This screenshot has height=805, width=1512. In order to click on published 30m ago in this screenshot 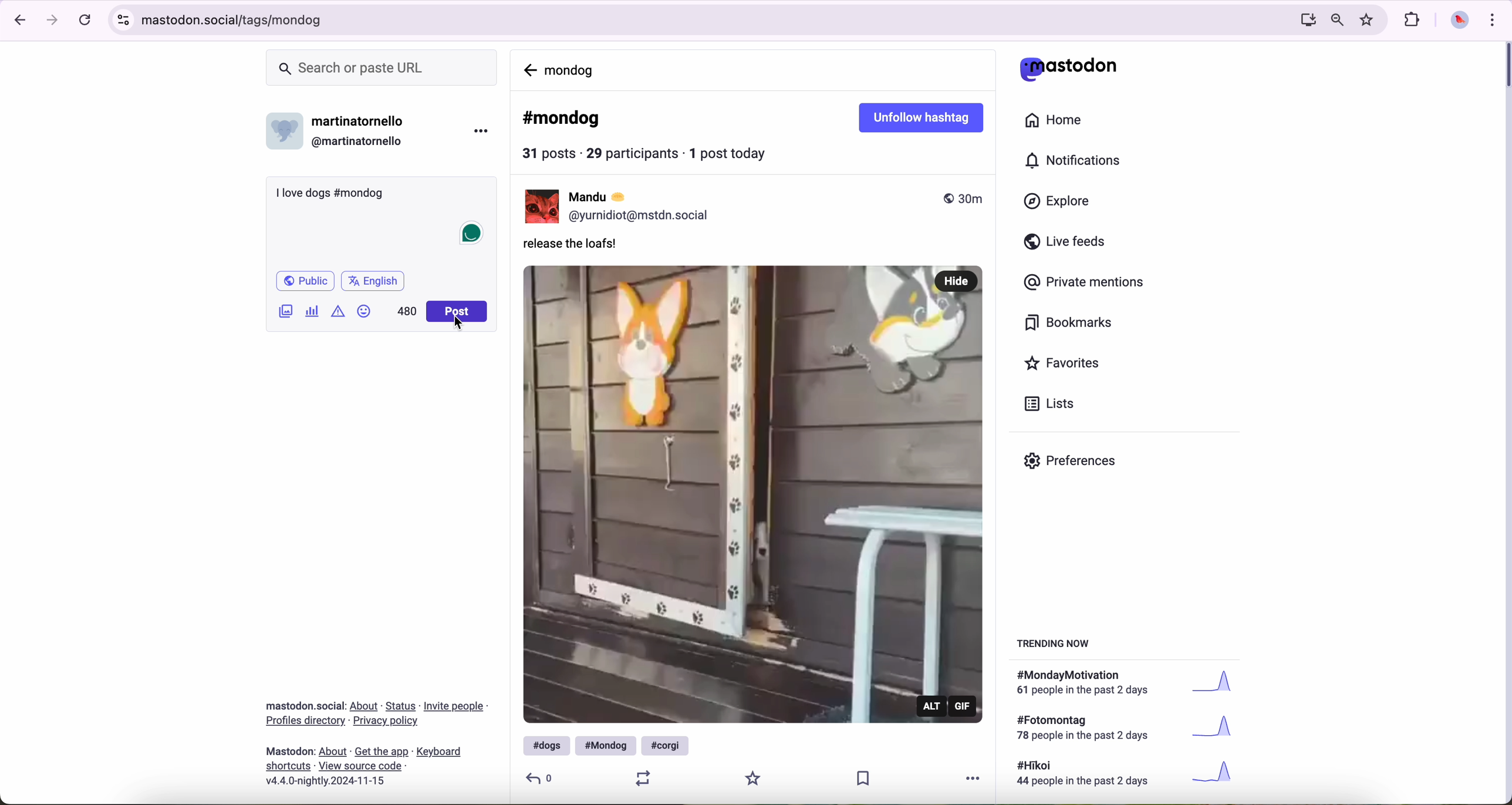, I will do `click(963, 198)`.